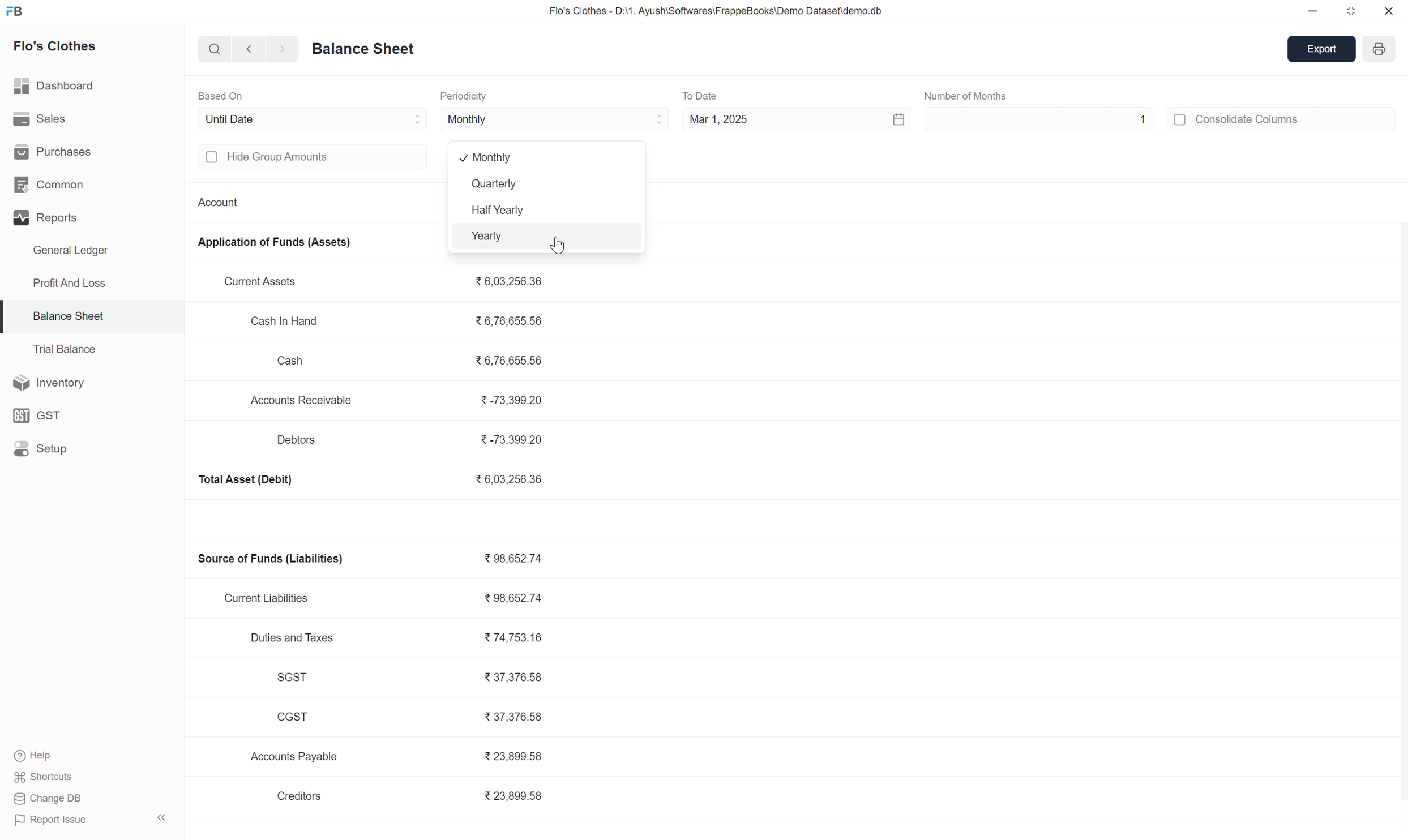  I want to click on Purchases, so click(62, 153).